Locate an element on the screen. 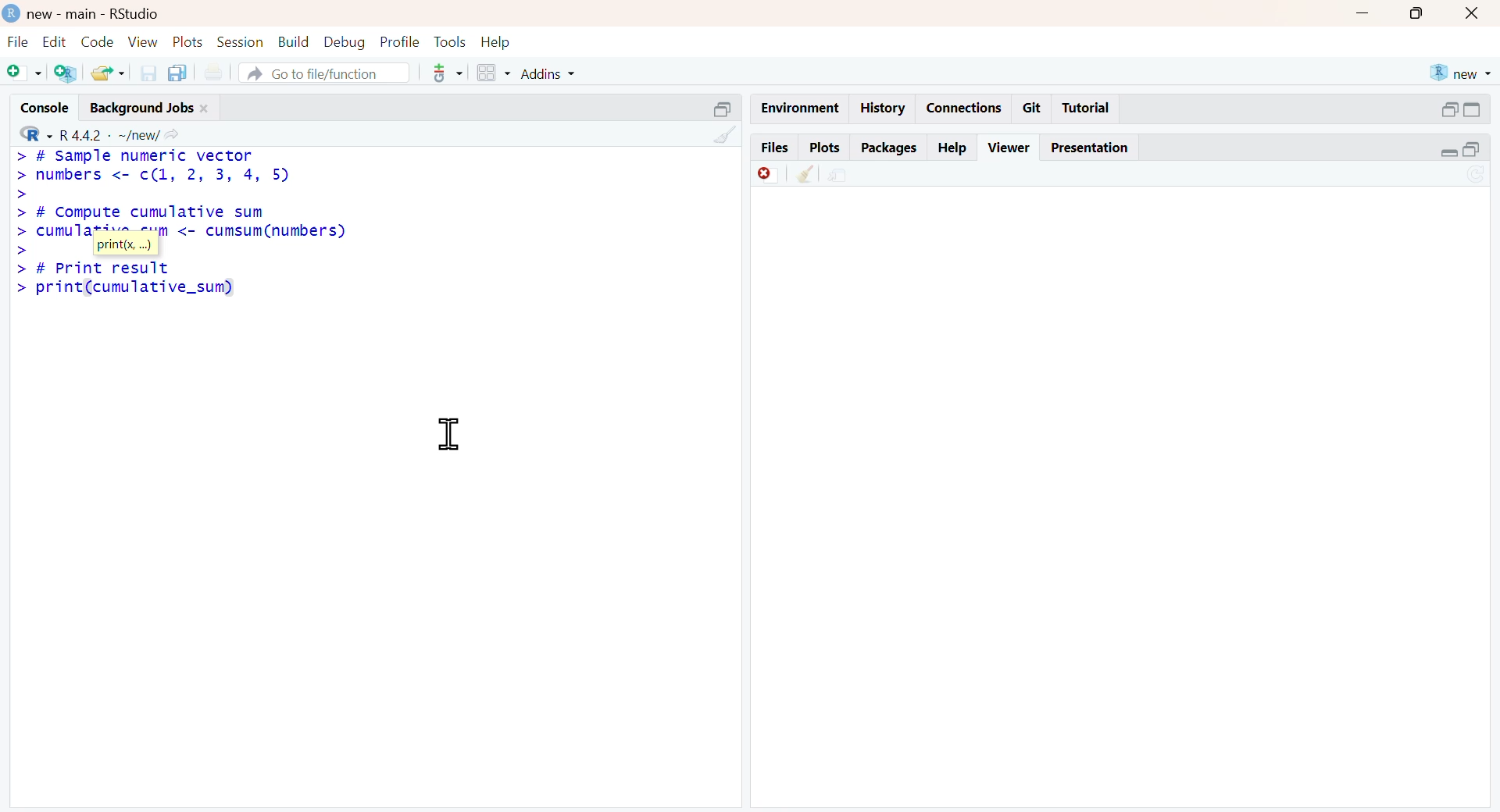 This screenshot has height=812, width=1500. profile is located at coordinates (402, 41).